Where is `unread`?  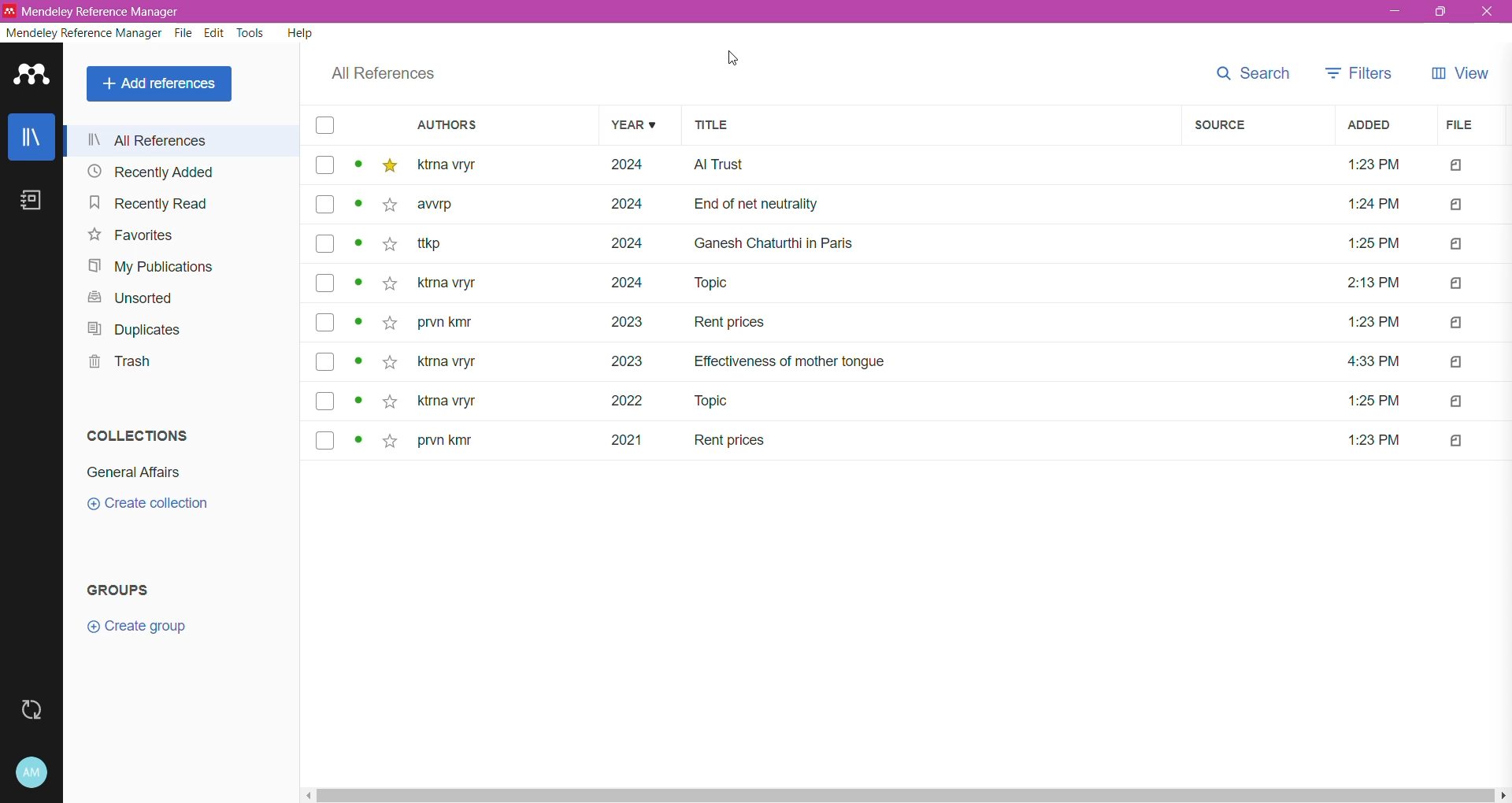 unread is located at coordinates (359, 320).